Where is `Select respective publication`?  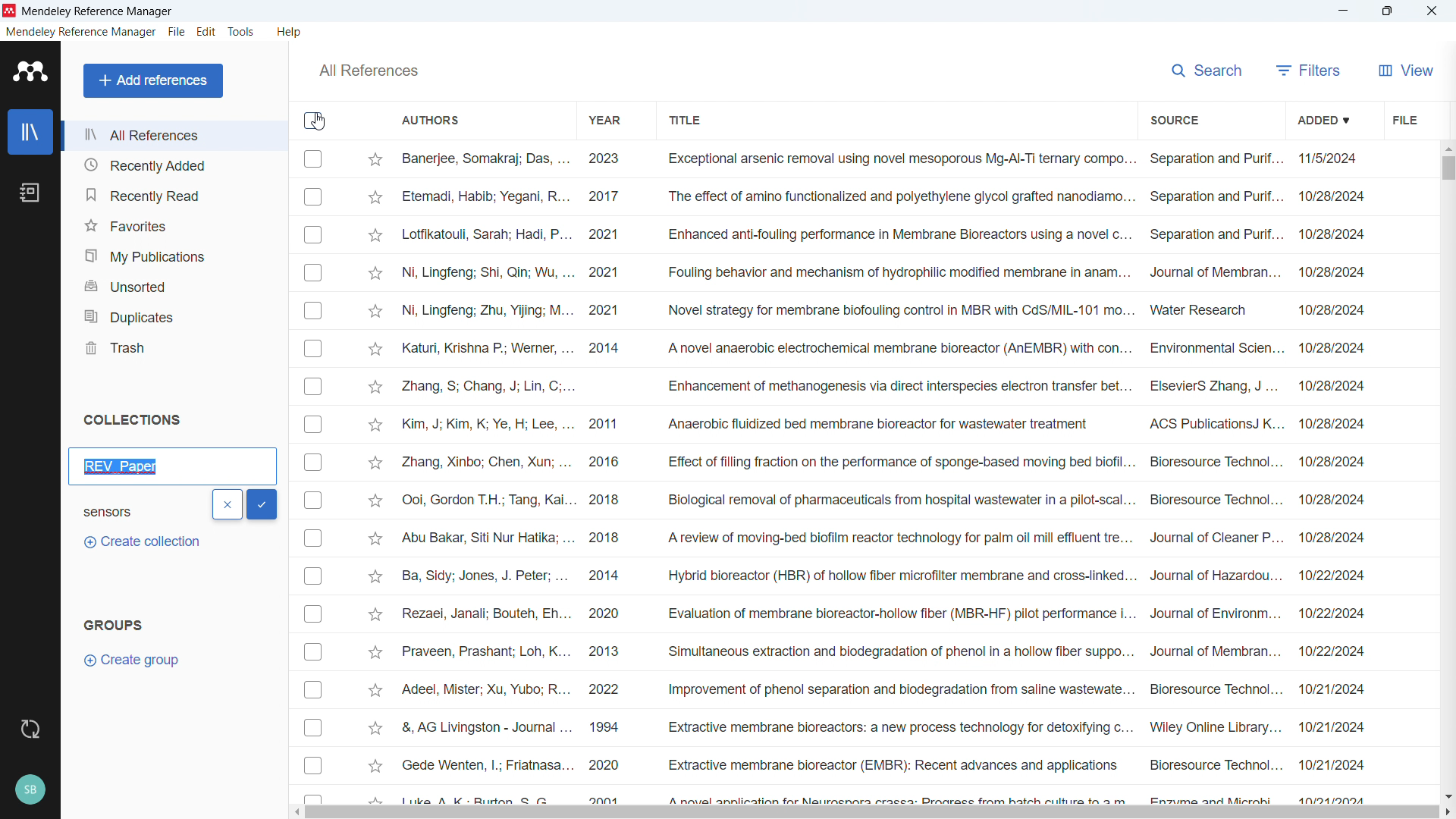
Select respective publication is located at coordinates (313, 764).